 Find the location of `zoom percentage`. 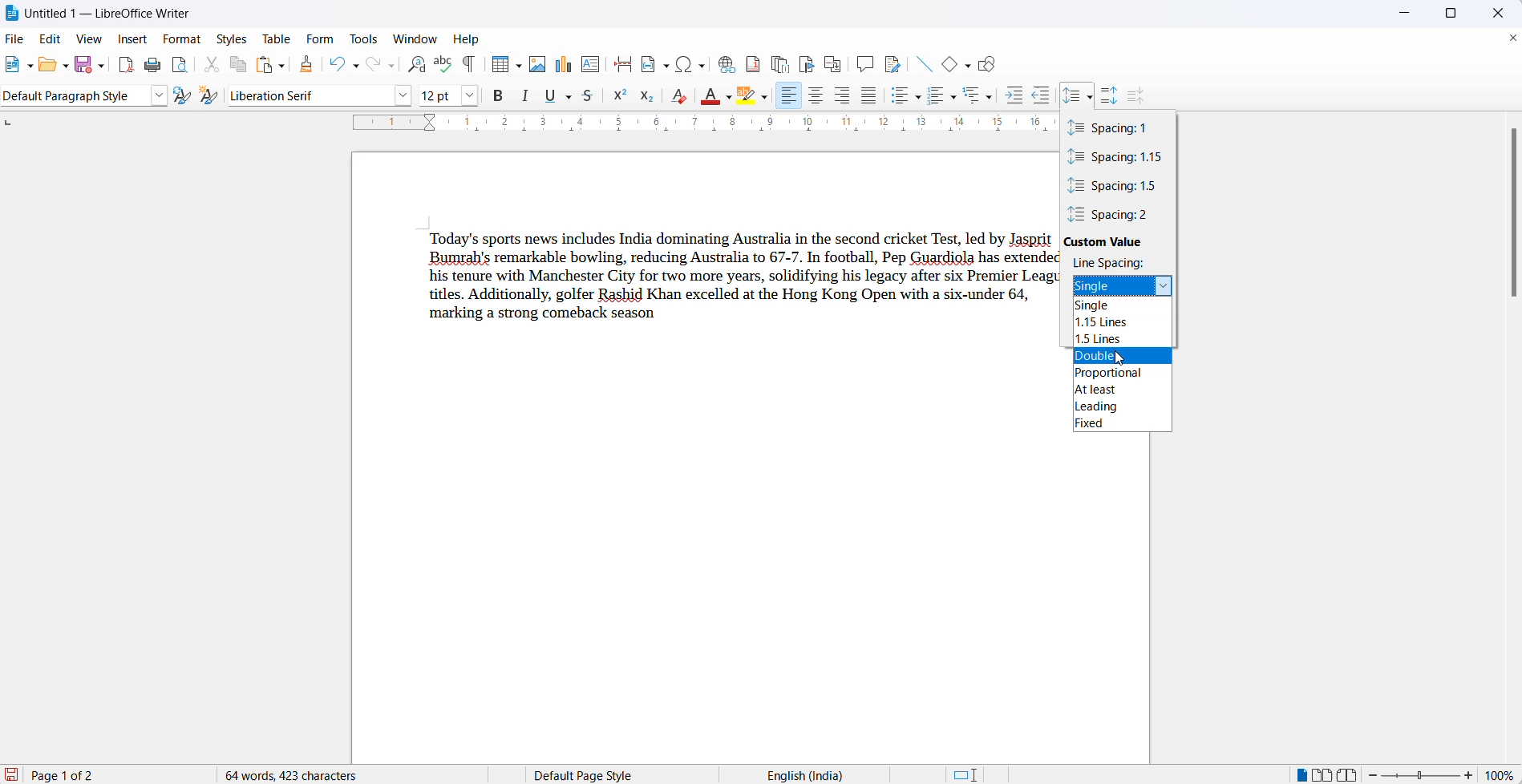

zoom percentage is located at coordinates (1502, 774).